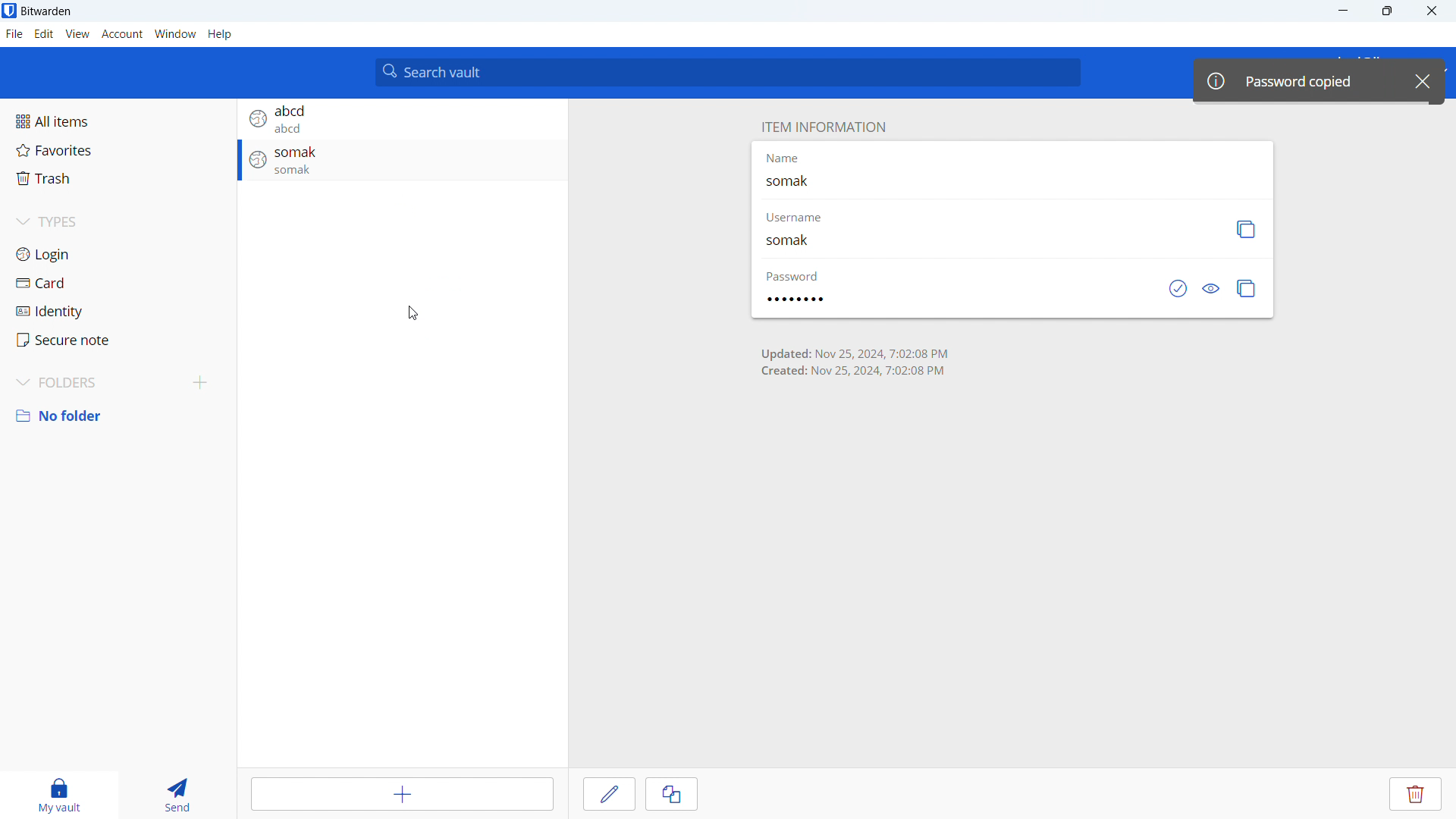 This screenshot has width=1456, height=819. What do you see at coordinates (609, 794) in the screenshot?
I see `edit` at bounding box center [609, 794].